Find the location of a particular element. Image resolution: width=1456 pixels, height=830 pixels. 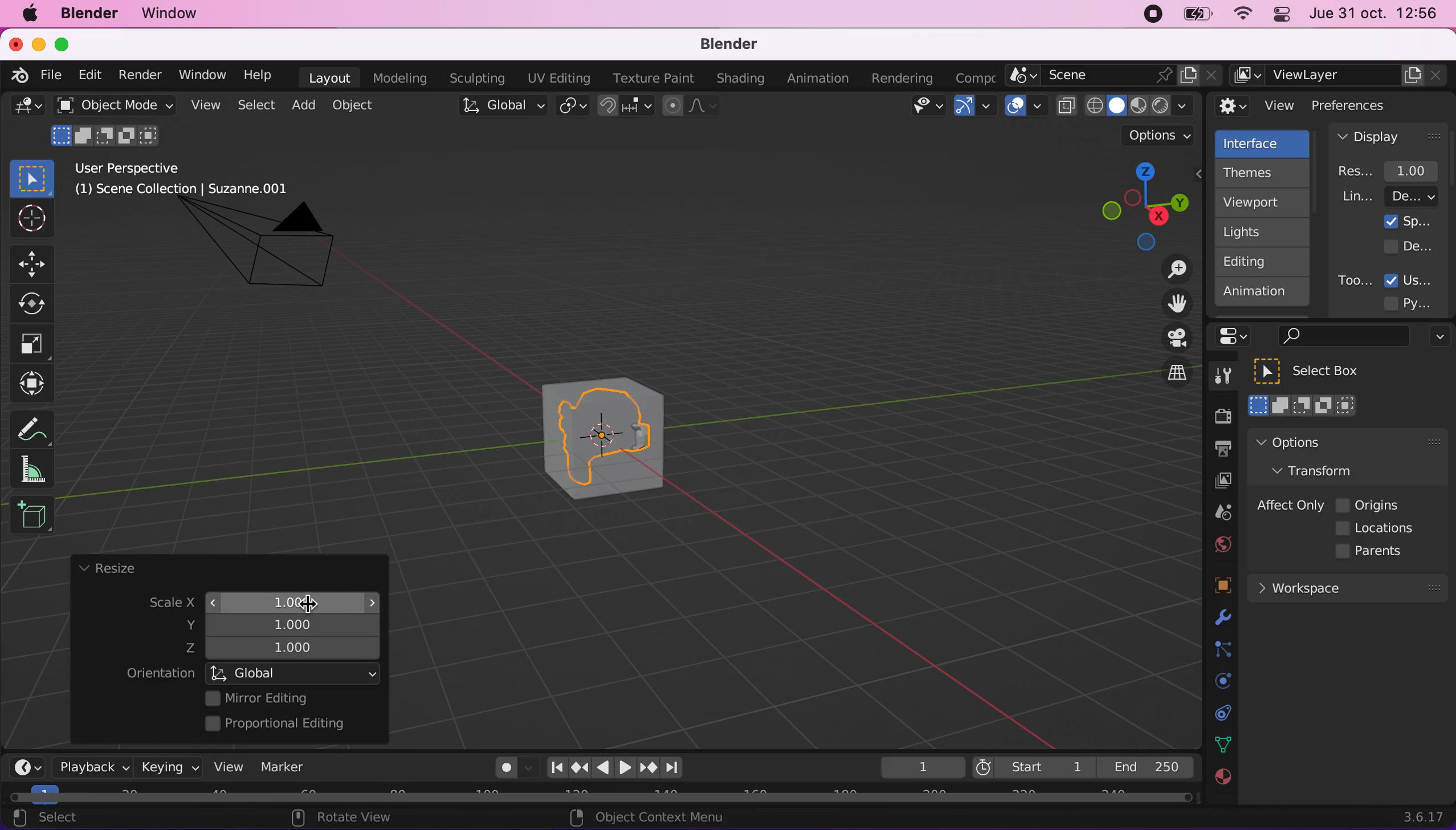

transform pivot point is located at coordinates (574, 107).